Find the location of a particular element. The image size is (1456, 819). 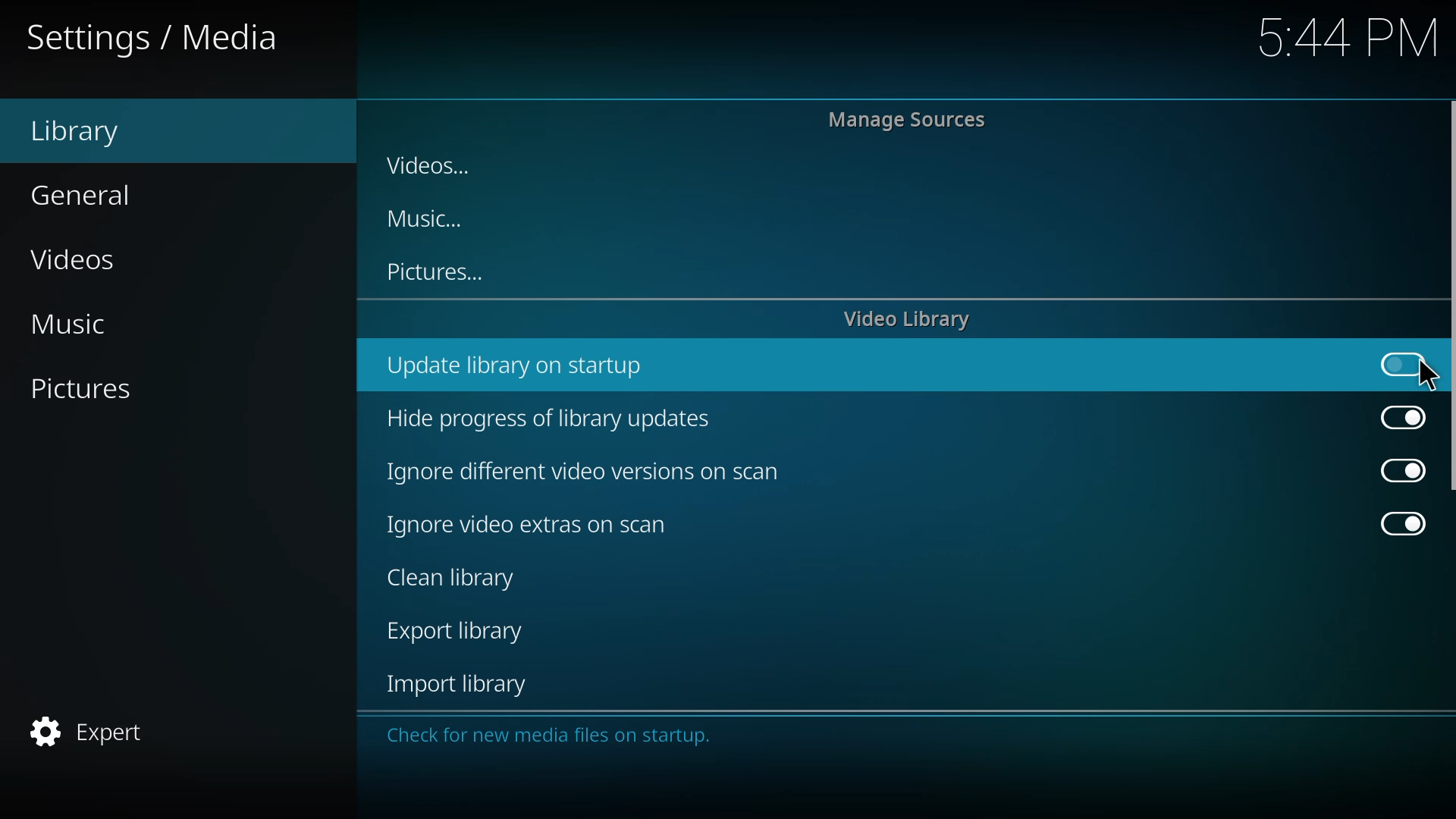

cursor is located at coordinates (1417, 367).